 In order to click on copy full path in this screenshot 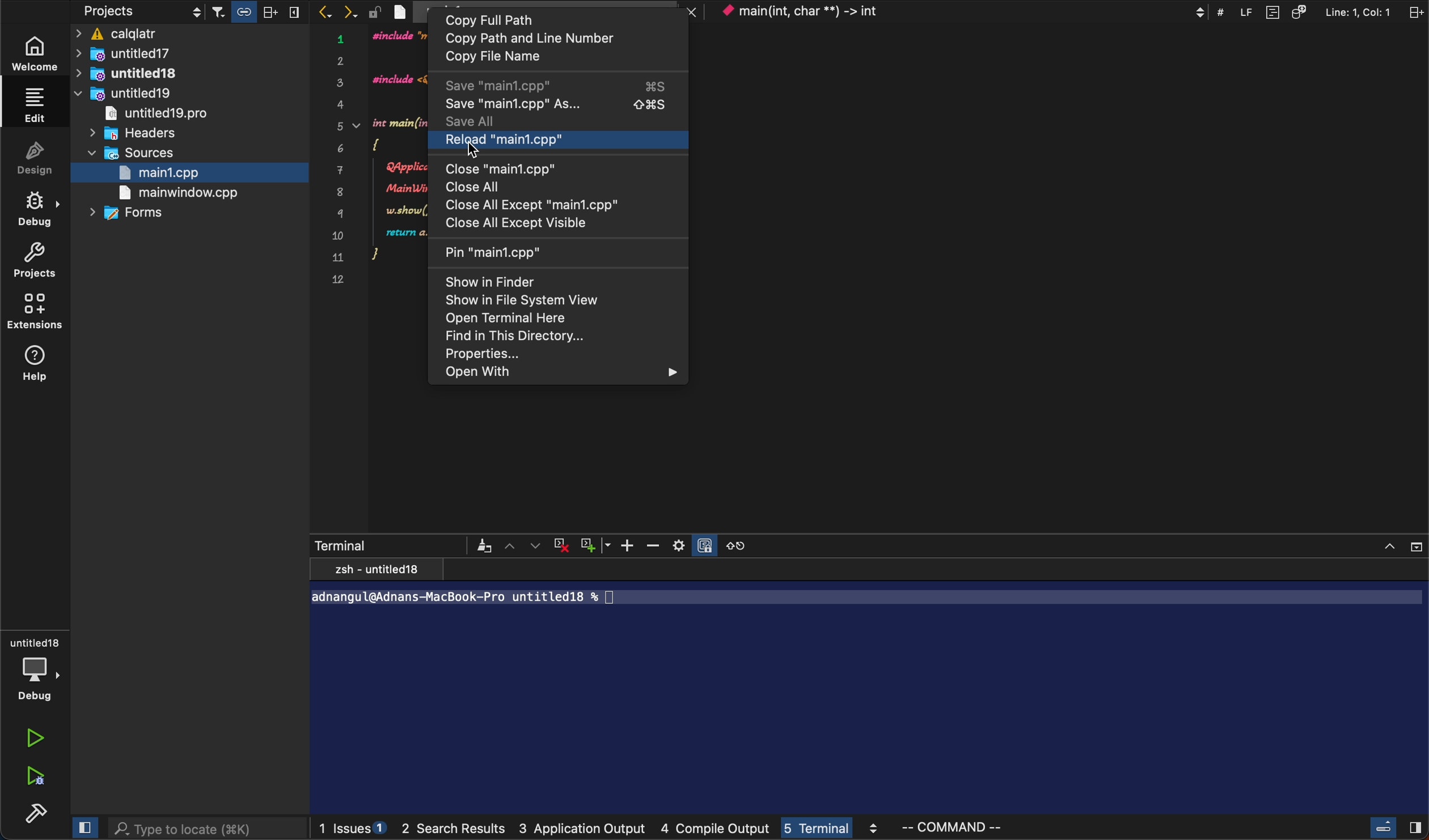, I will do `click(515, 19)`.